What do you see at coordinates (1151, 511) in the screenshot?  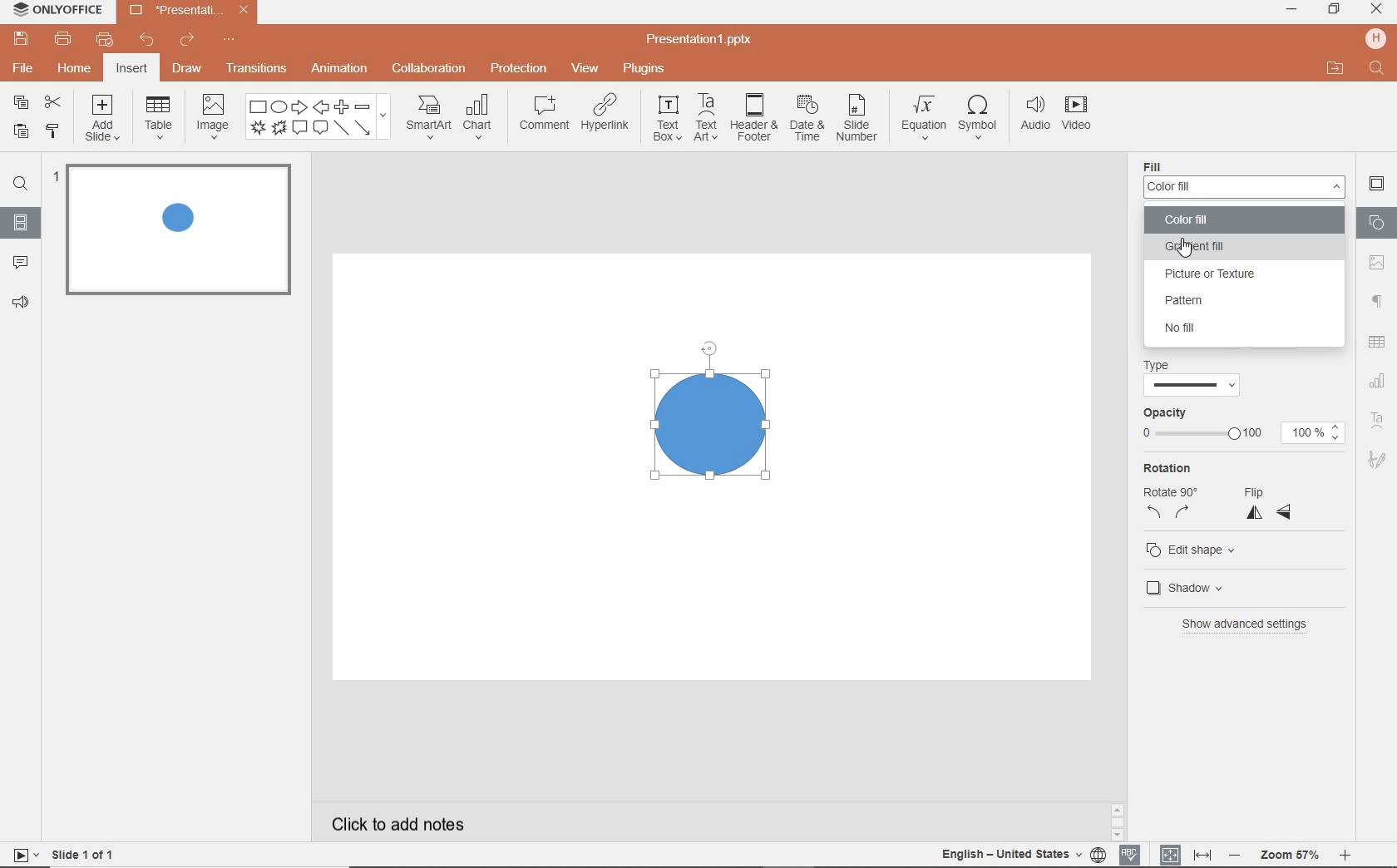 I see `left` at bounding box center [1151, 511].